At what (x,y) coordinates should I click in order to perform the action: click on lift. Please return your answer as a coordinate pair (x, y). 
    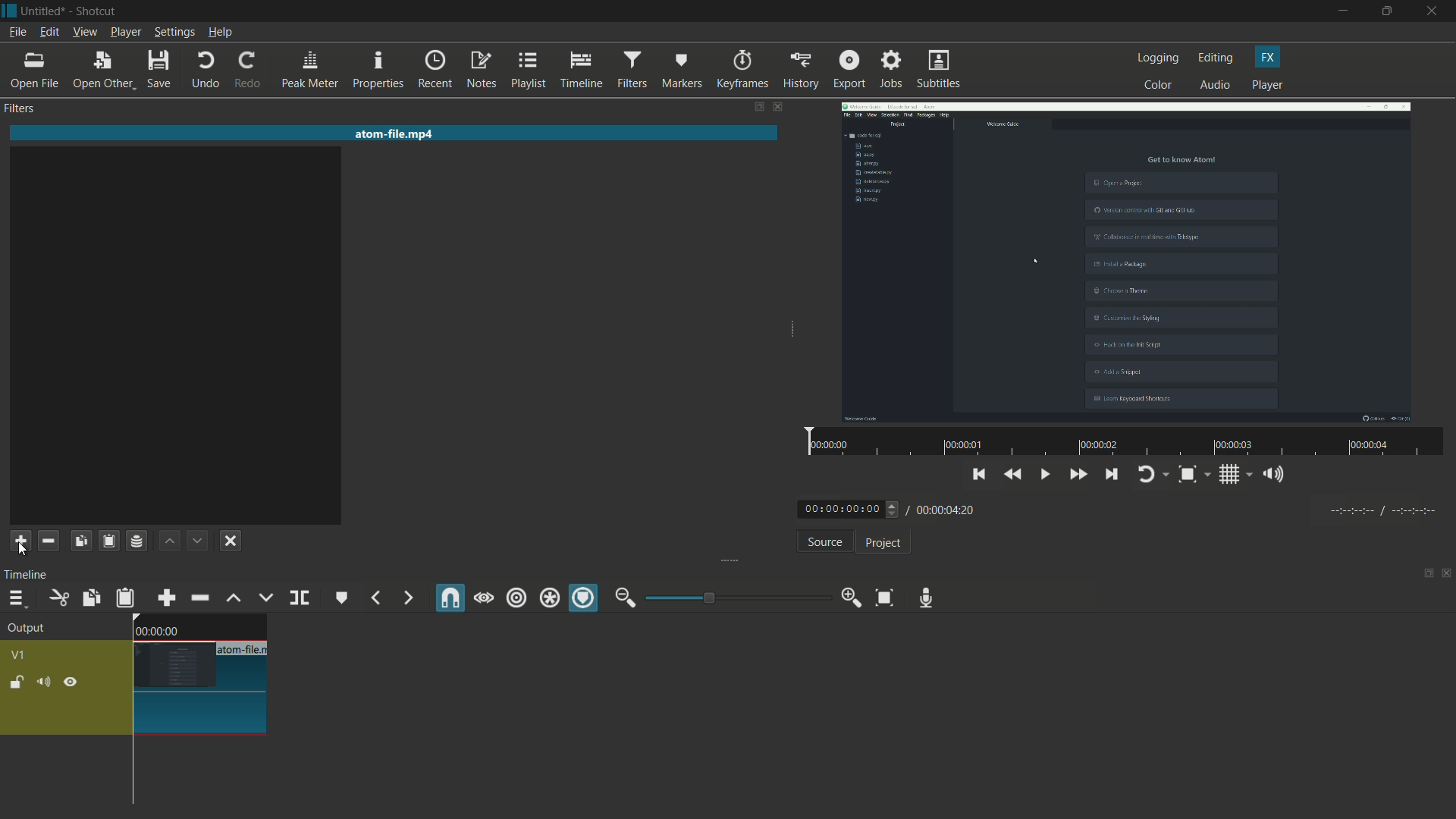
    Looking at the image, I should click on (233, 598).